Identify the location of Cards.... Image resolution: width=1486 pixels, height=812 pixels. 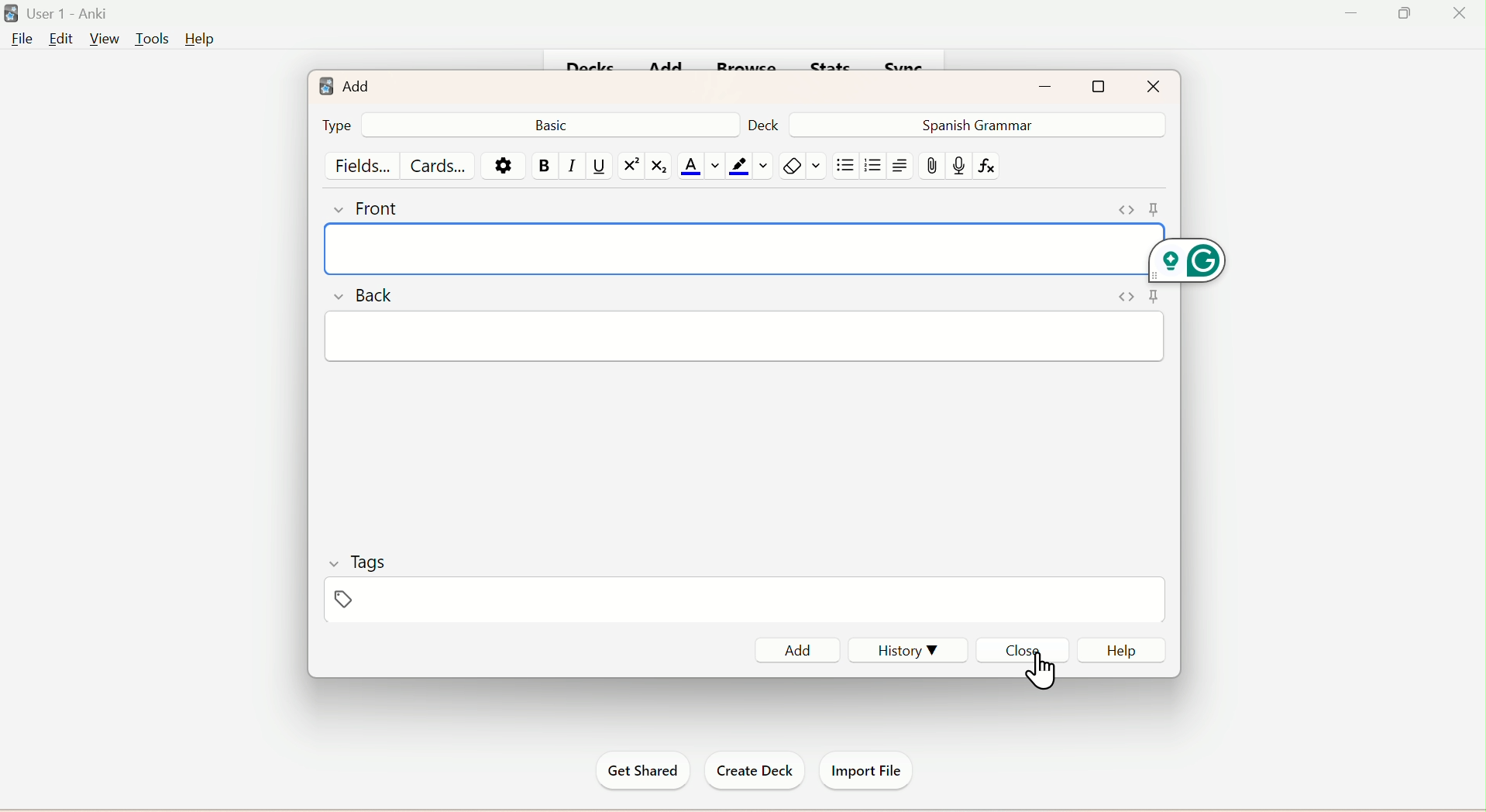
(441, 165).